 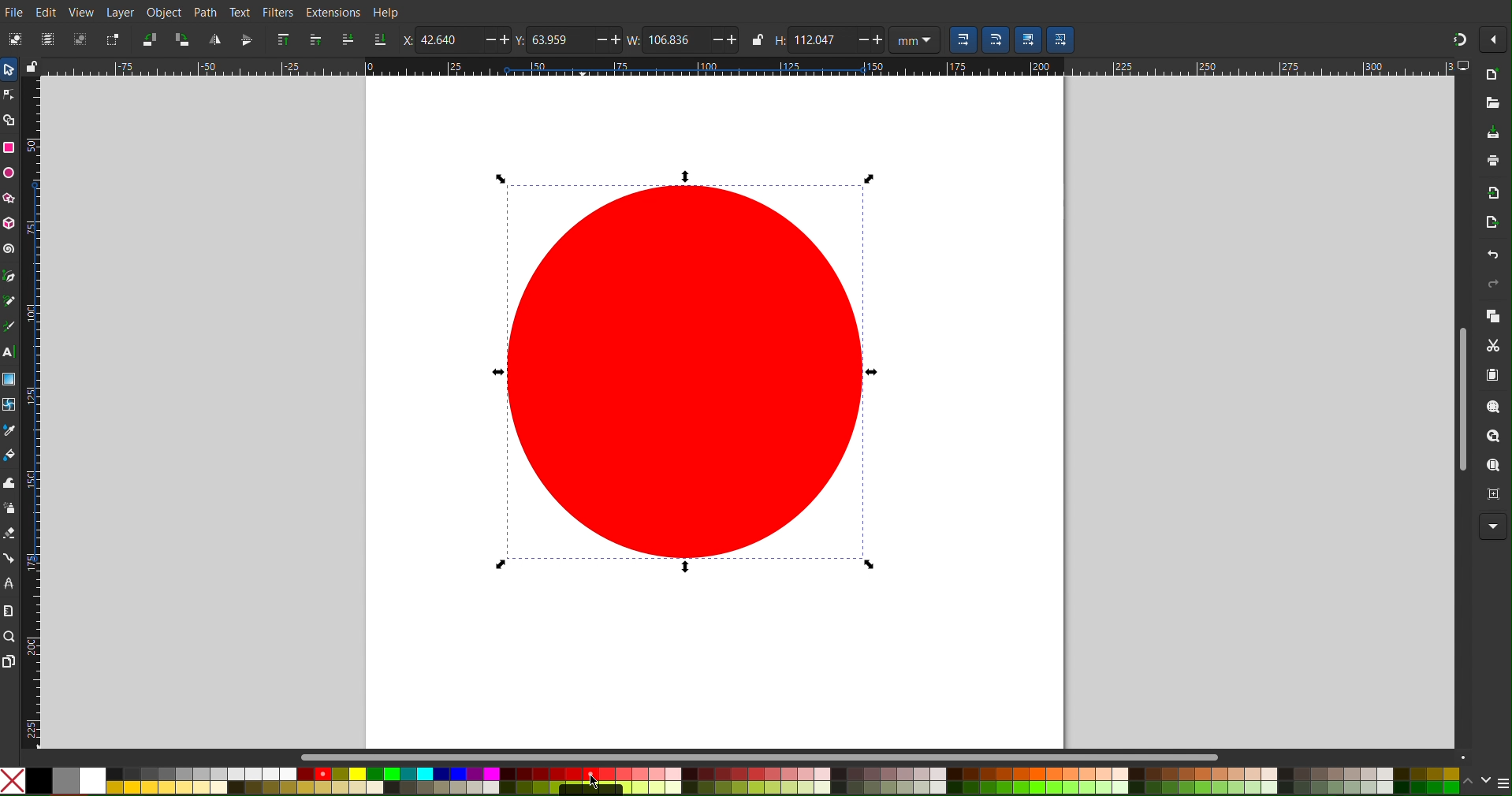 I want to click on Spray Tool, so click(x=10, y=509).